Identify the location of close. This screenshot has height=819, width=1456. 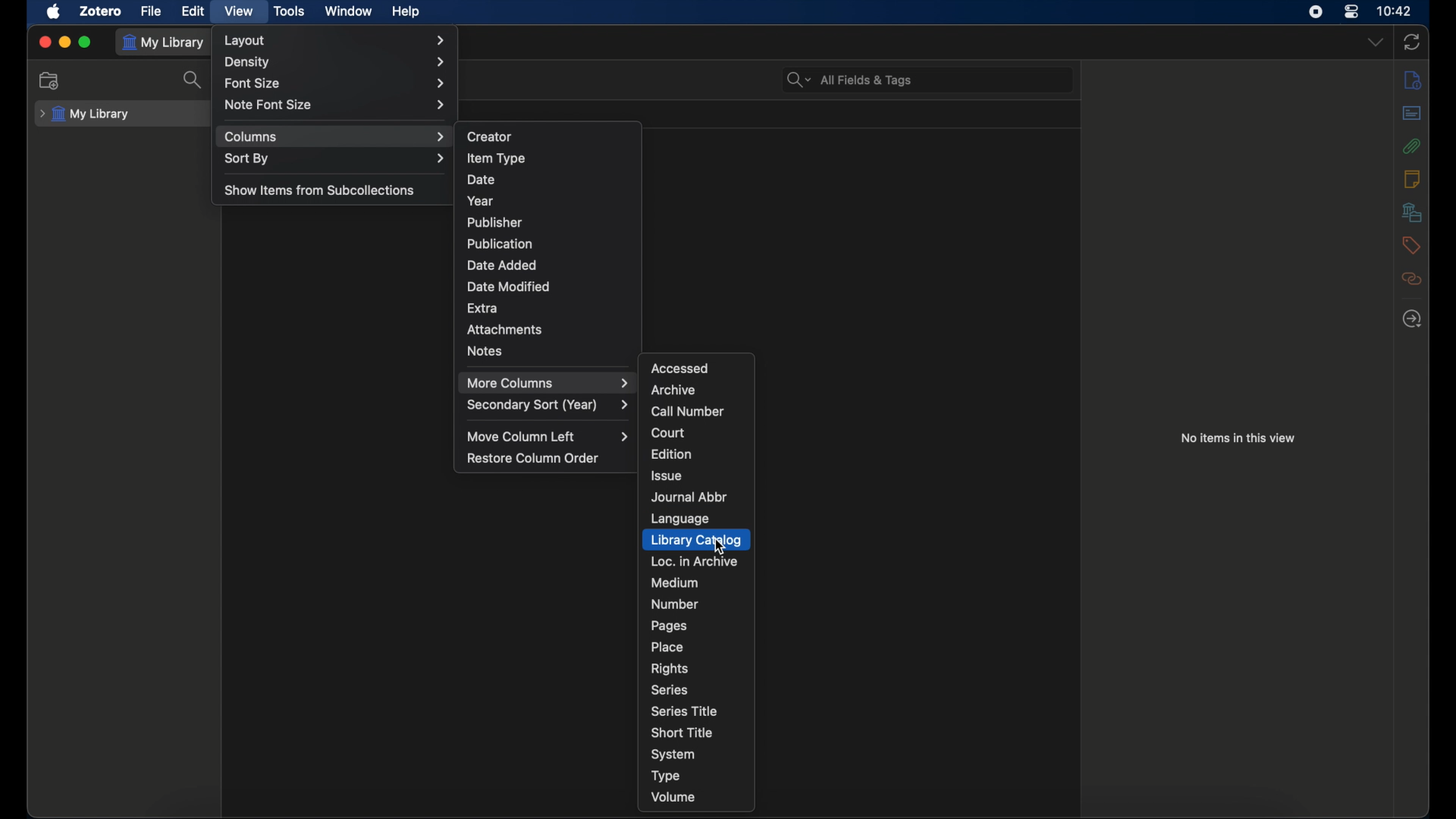
(44, 42).